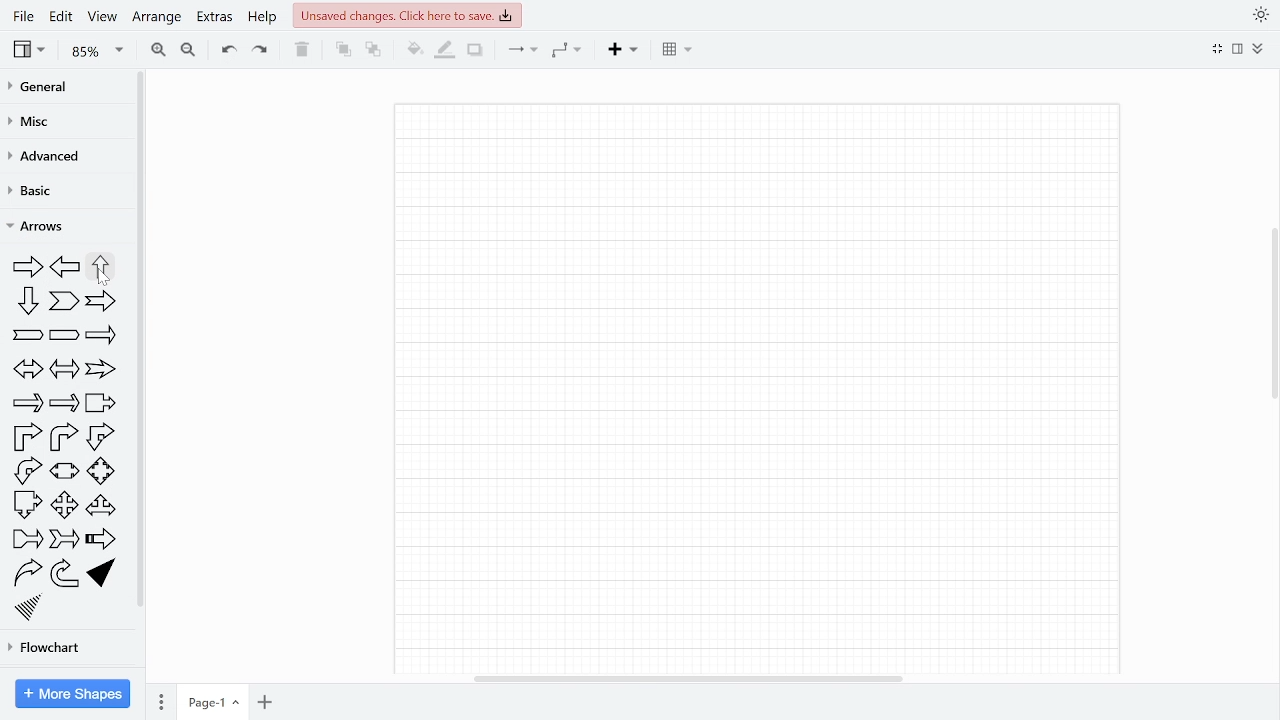 The width and height of the screenshot is (1280, 720). I want to click on Delete, so click(302, 50).